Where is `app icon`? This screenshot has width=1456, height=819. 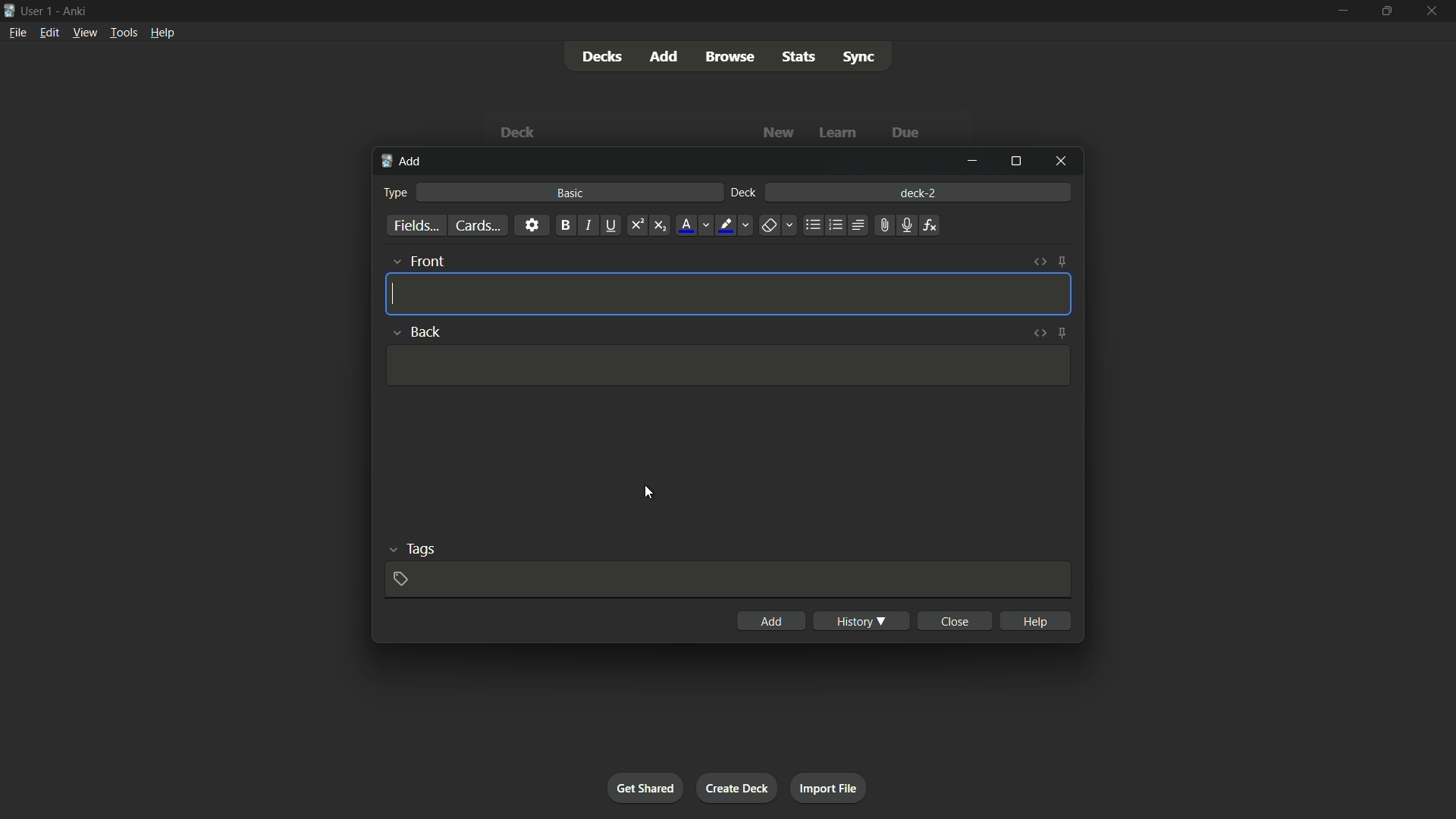
app icon is located at coordinates (8, 11).